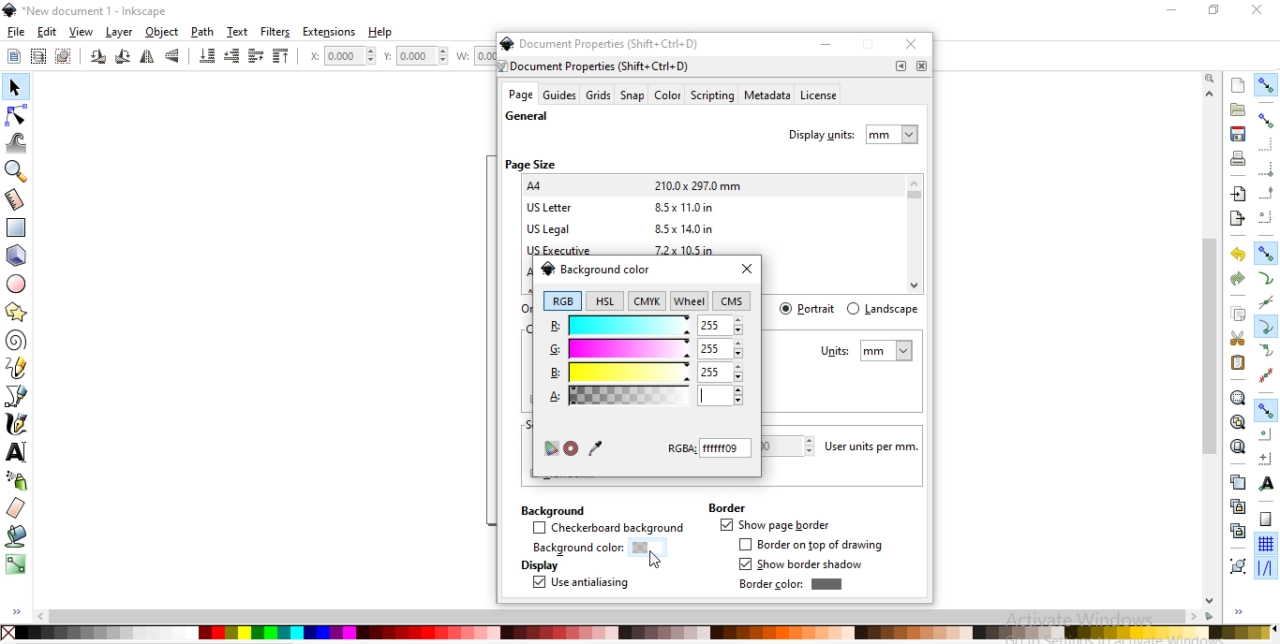  I want to click on out of gamut, so click(571, 449).